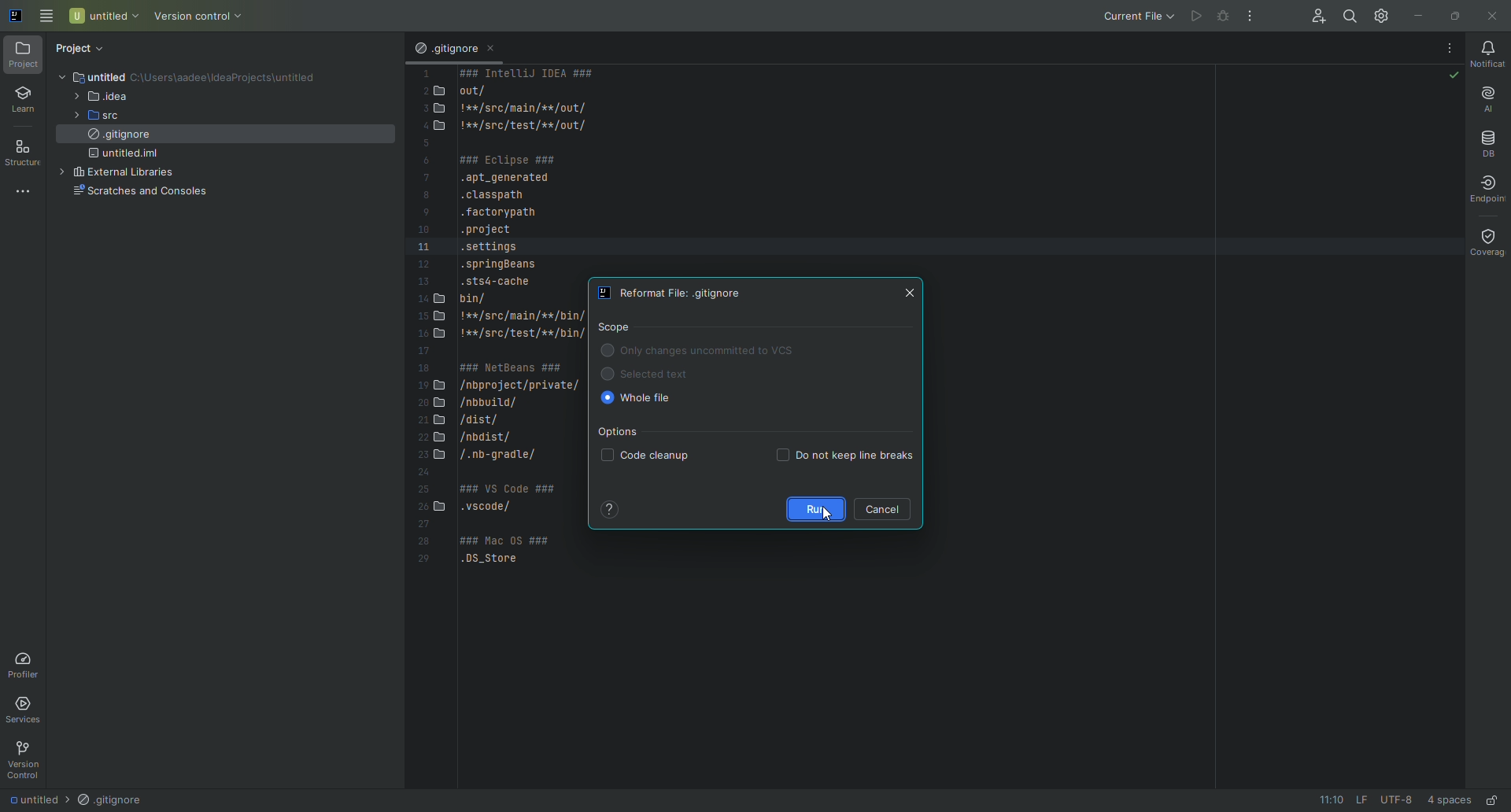 The height and width of the screenshot is (812, 1511). I want to click on More Actions, so click(1450, 47).